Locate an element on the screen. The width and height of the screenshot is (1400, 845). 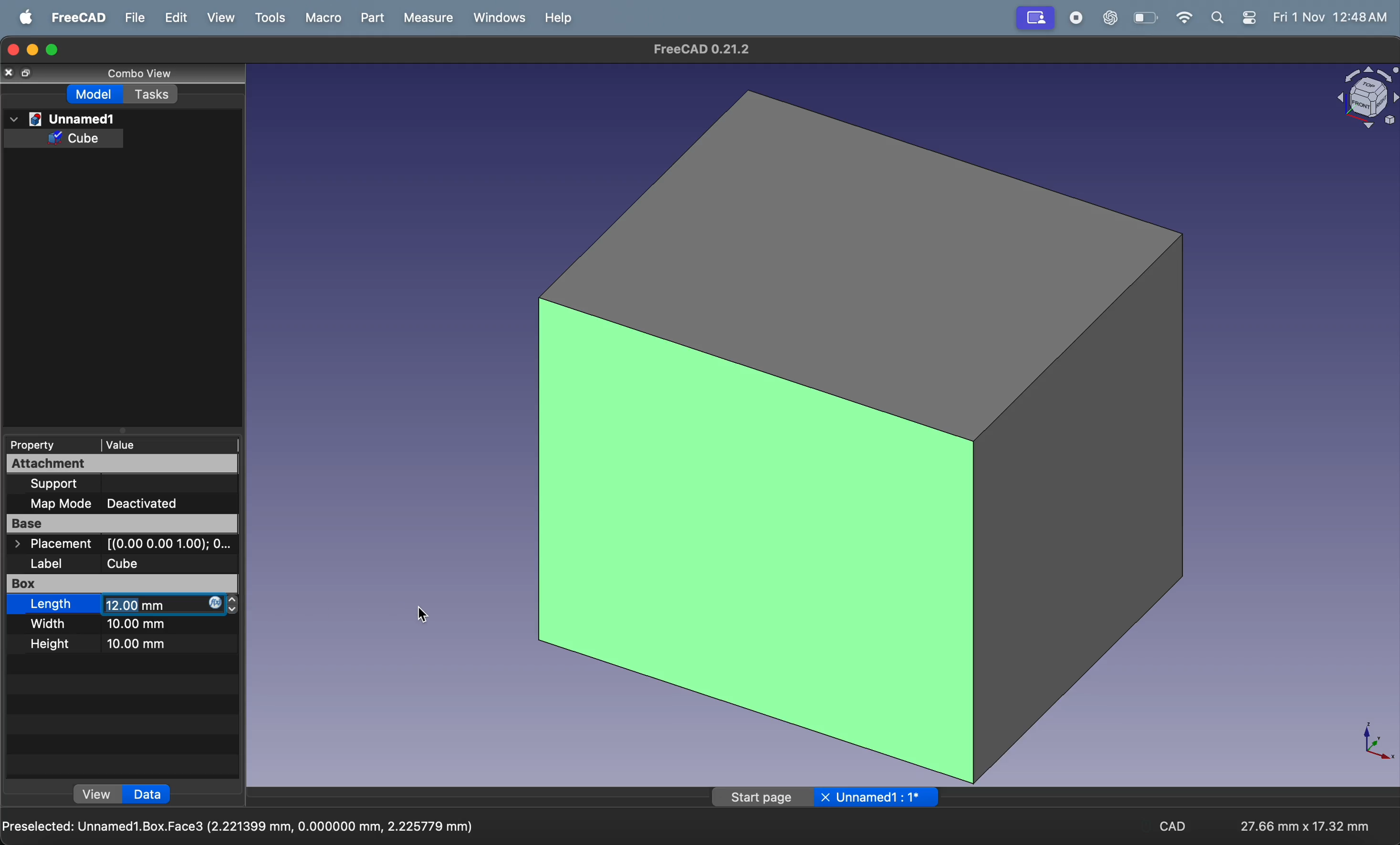
apple menu is located at coordinates (24, 17).